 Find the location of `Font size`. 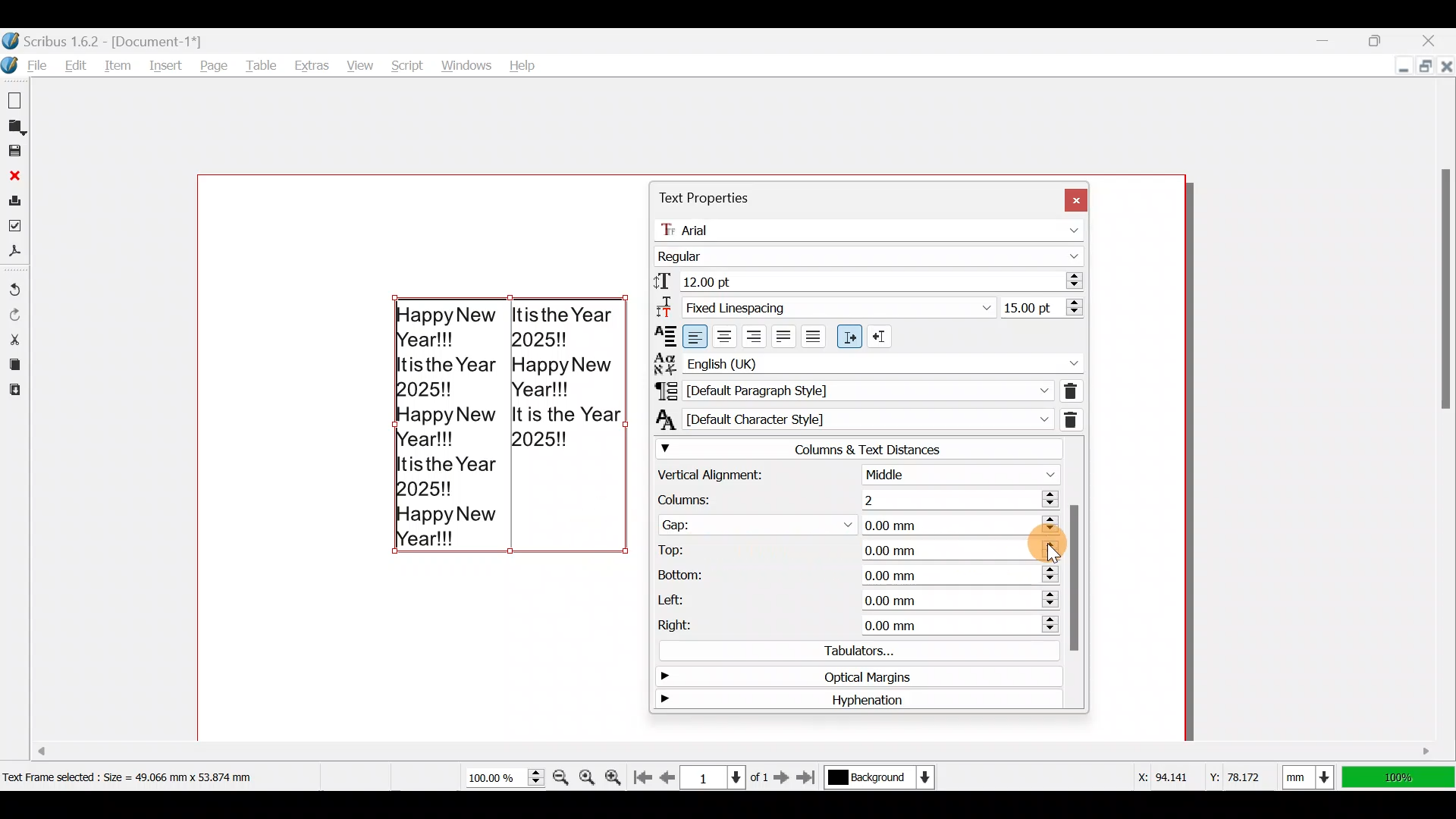

Font size is located at coordinates (866, 281).